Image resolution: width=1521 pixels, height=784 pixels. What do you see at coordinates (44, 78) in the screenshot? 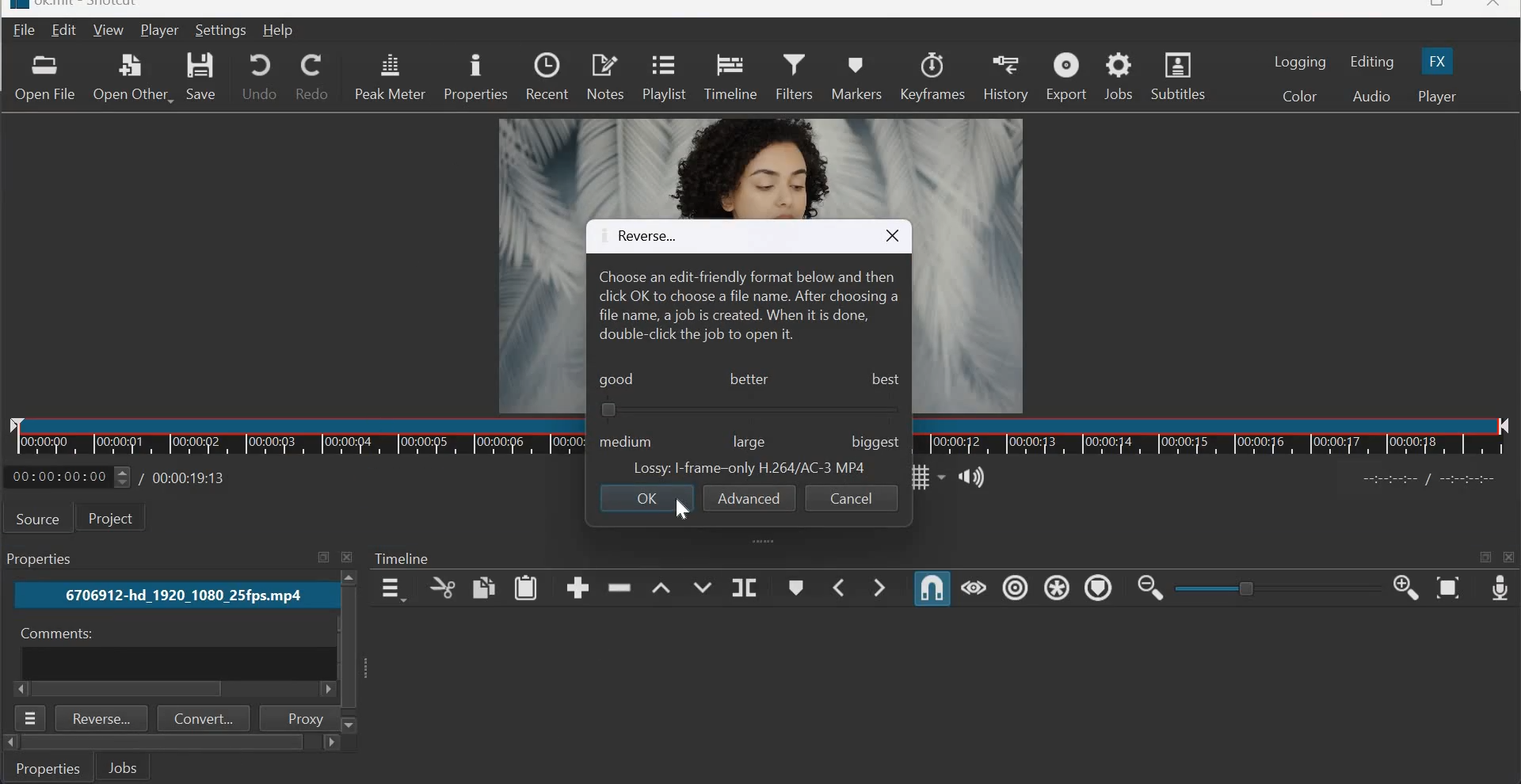
I see `Open file` at bounding box center [44, 78].